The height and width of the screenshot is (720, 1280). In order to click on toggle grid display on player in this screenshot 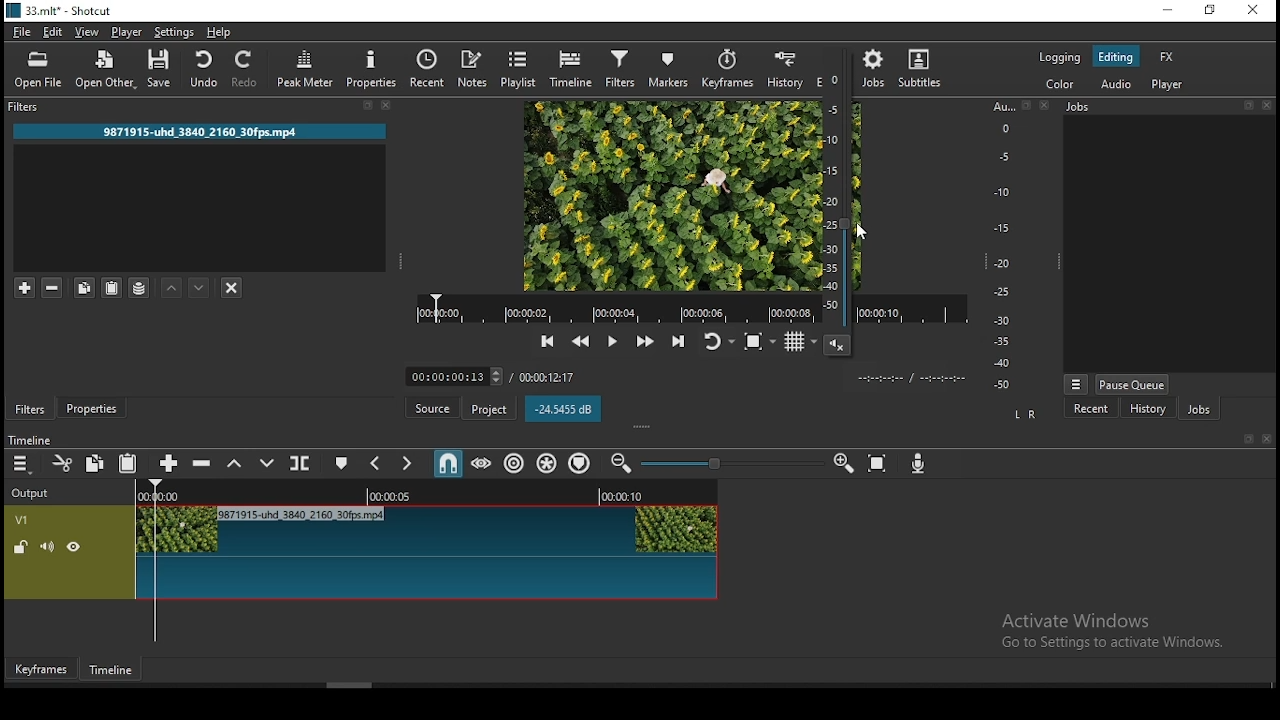, I will do `click(795, 345)`.